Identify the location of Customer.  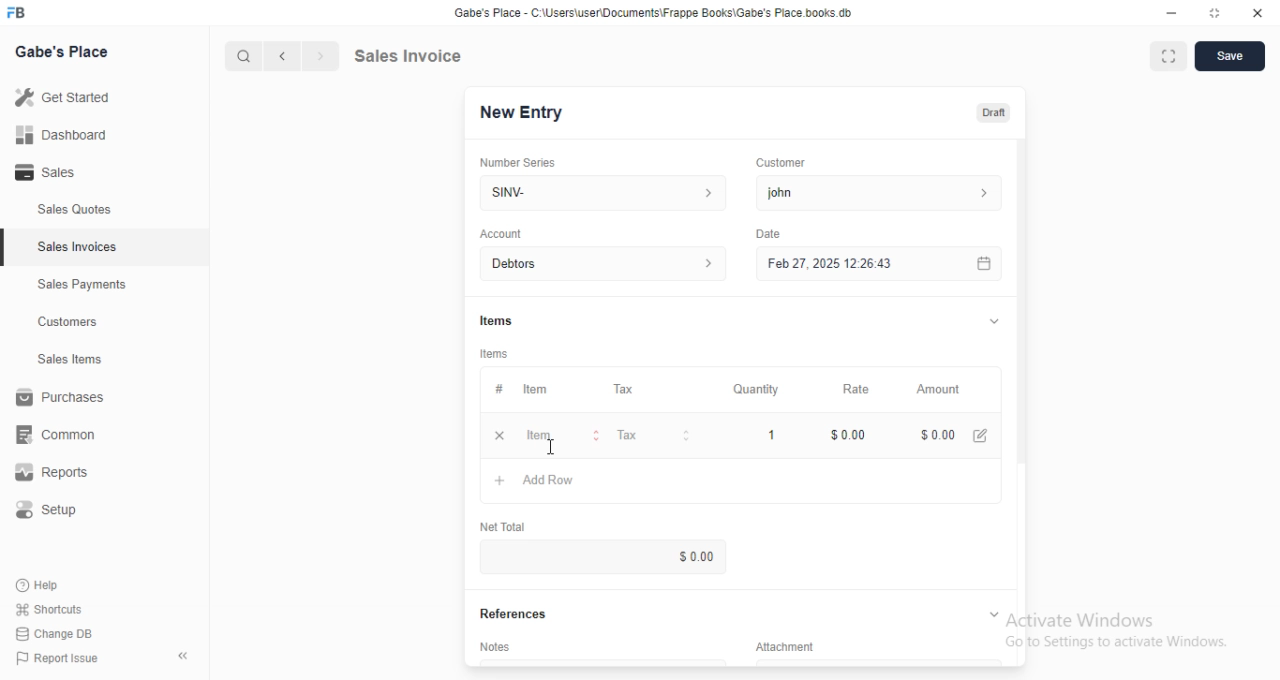
(784, 163).